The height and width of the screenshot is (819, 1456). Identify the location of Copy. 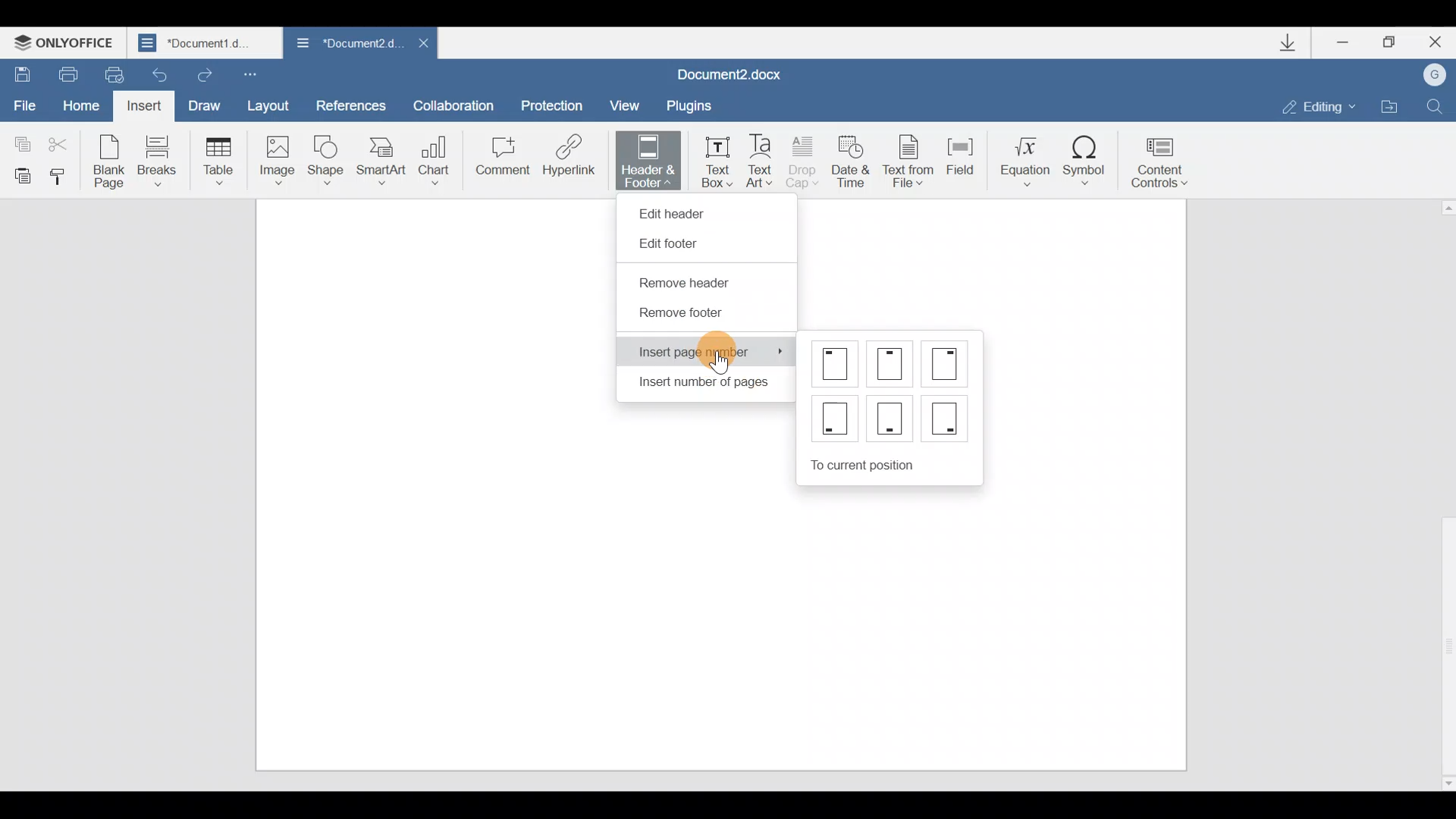
(19, 140).